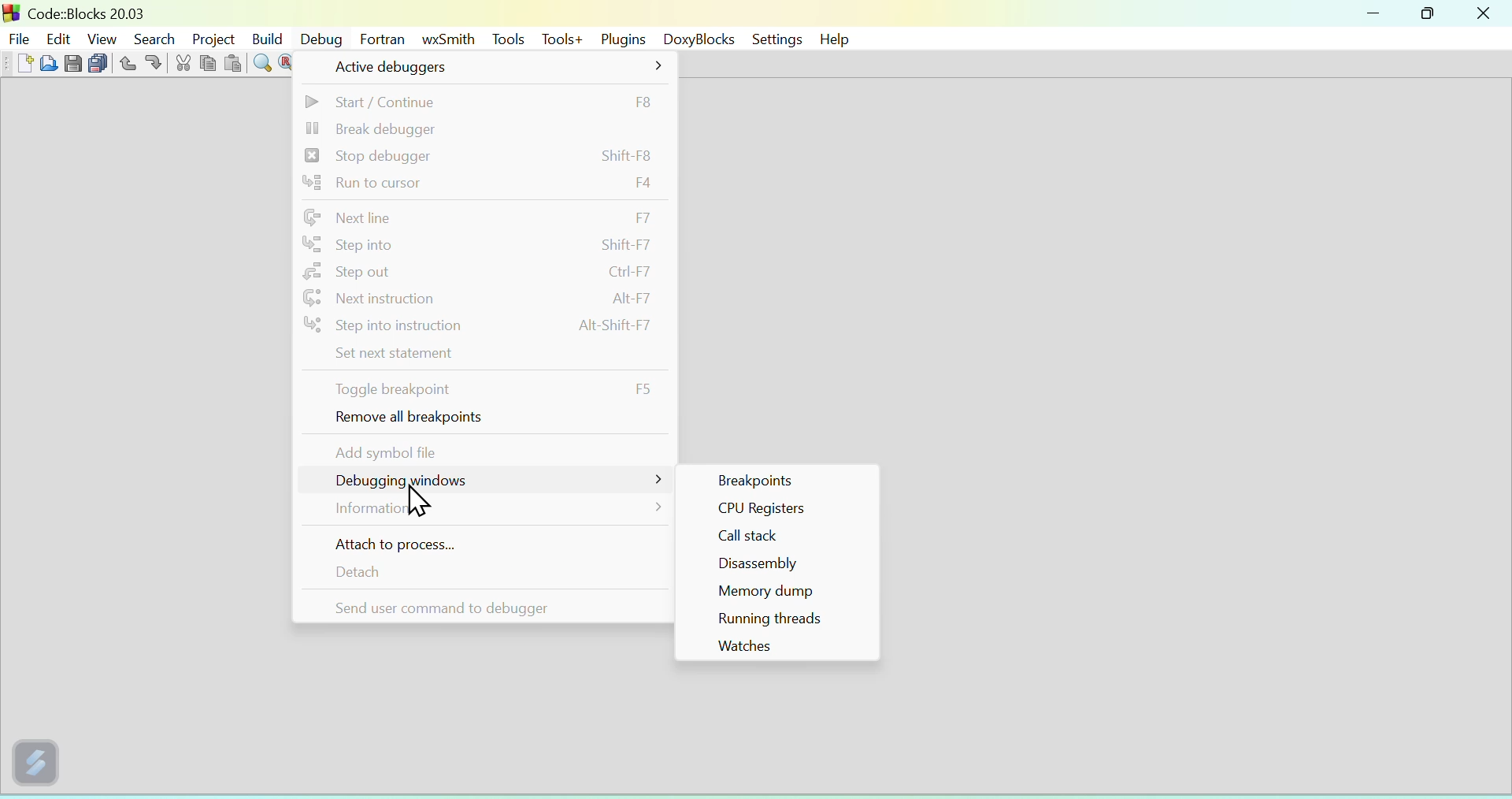 The height and width of the screenshot is (799, 1512). Describe the element at coordinates (261, 64) in the screenshot. I see `find` at that location.